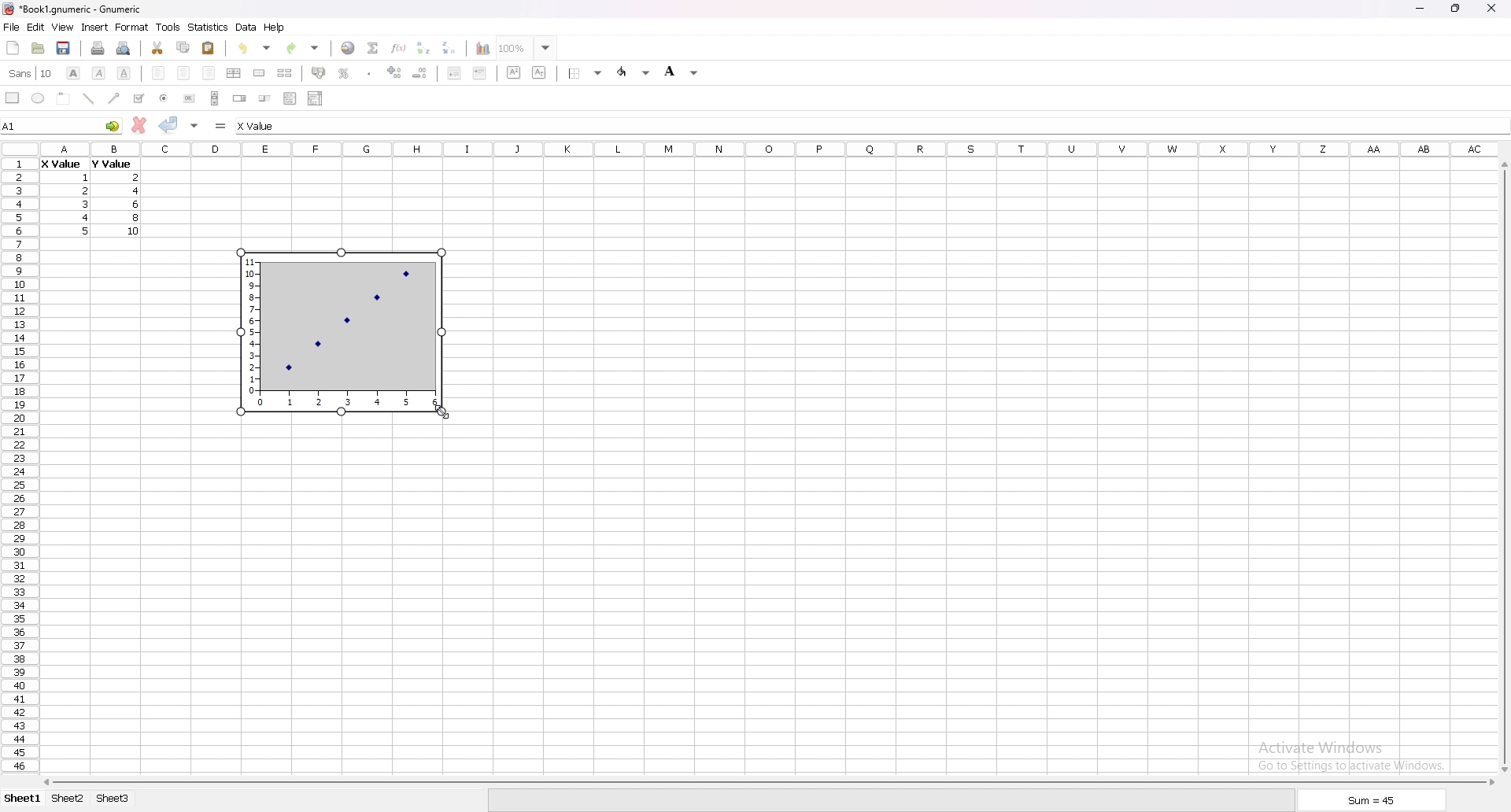  I want to click on file name, so click(72, 9).